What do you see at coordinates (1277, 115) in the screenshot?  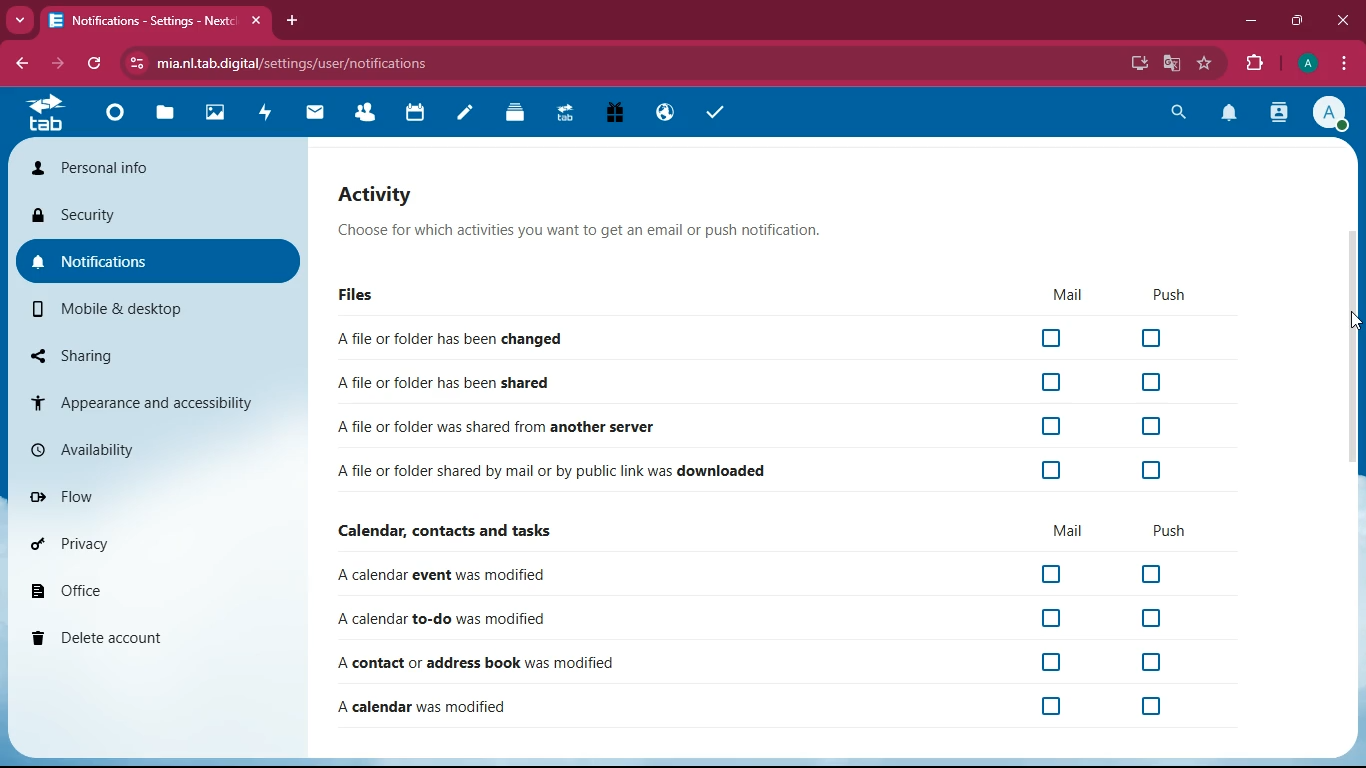 I see `contacts` at bounding box center [1277, 115].